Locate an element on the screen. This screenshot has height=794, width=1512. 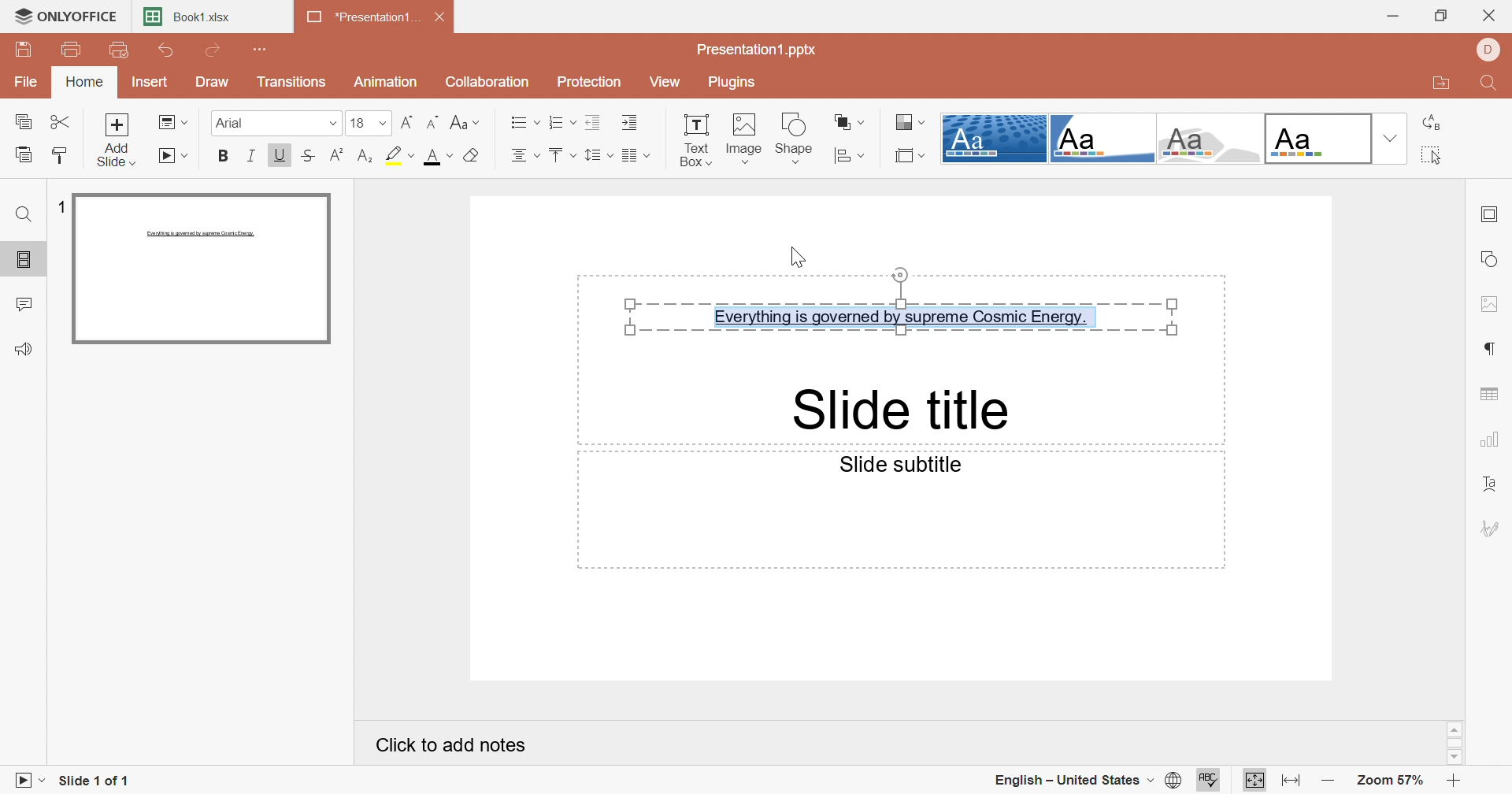
Slide settings is located at coordinates (1492, 213).